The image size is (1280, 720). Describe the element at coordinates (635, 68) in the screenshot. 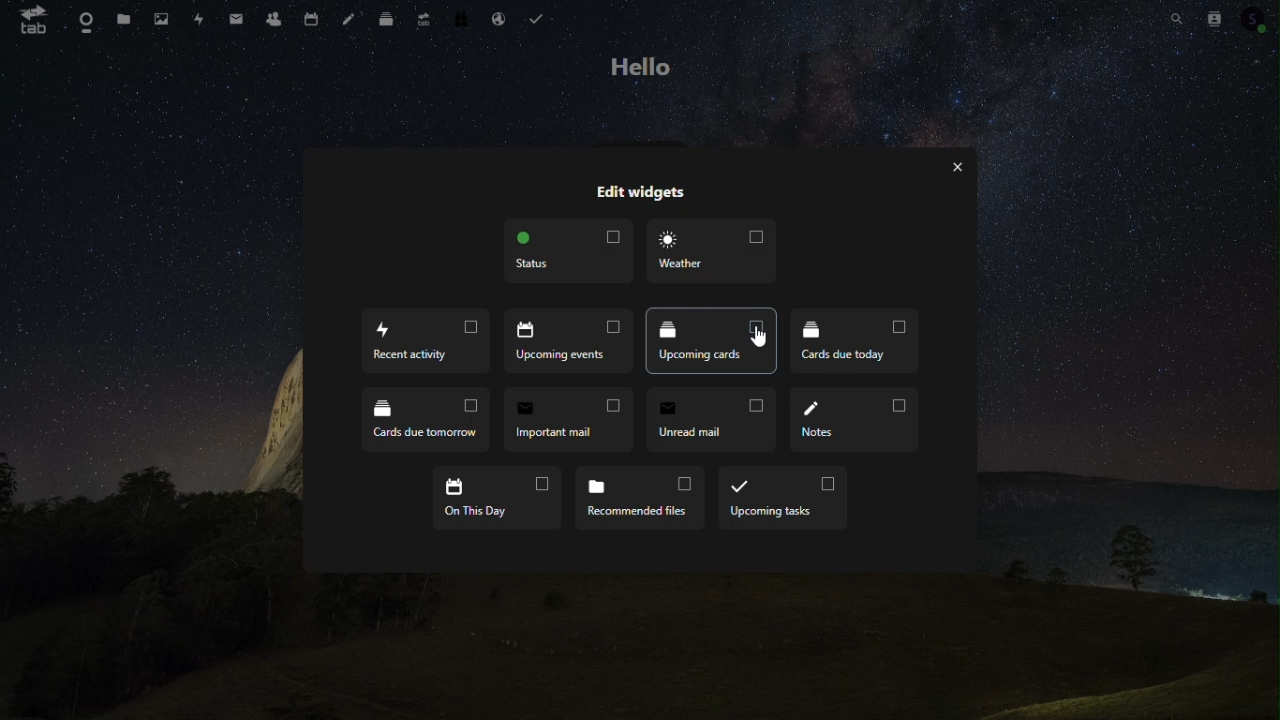

I see `hello` at that location.